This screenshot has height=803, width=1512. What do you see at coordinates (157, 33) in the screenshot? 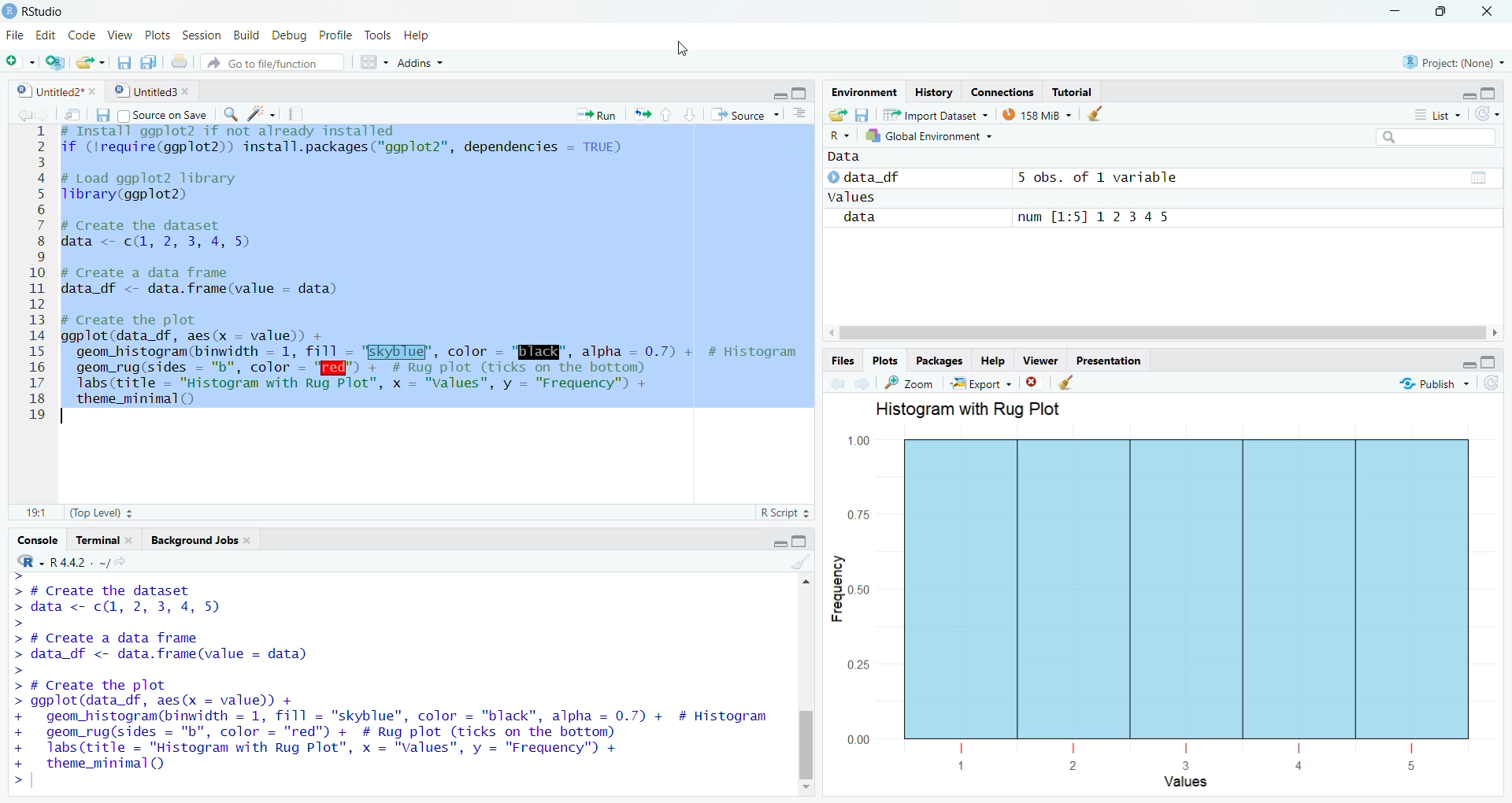
I see `Plots` at bounding box center [157, 33].